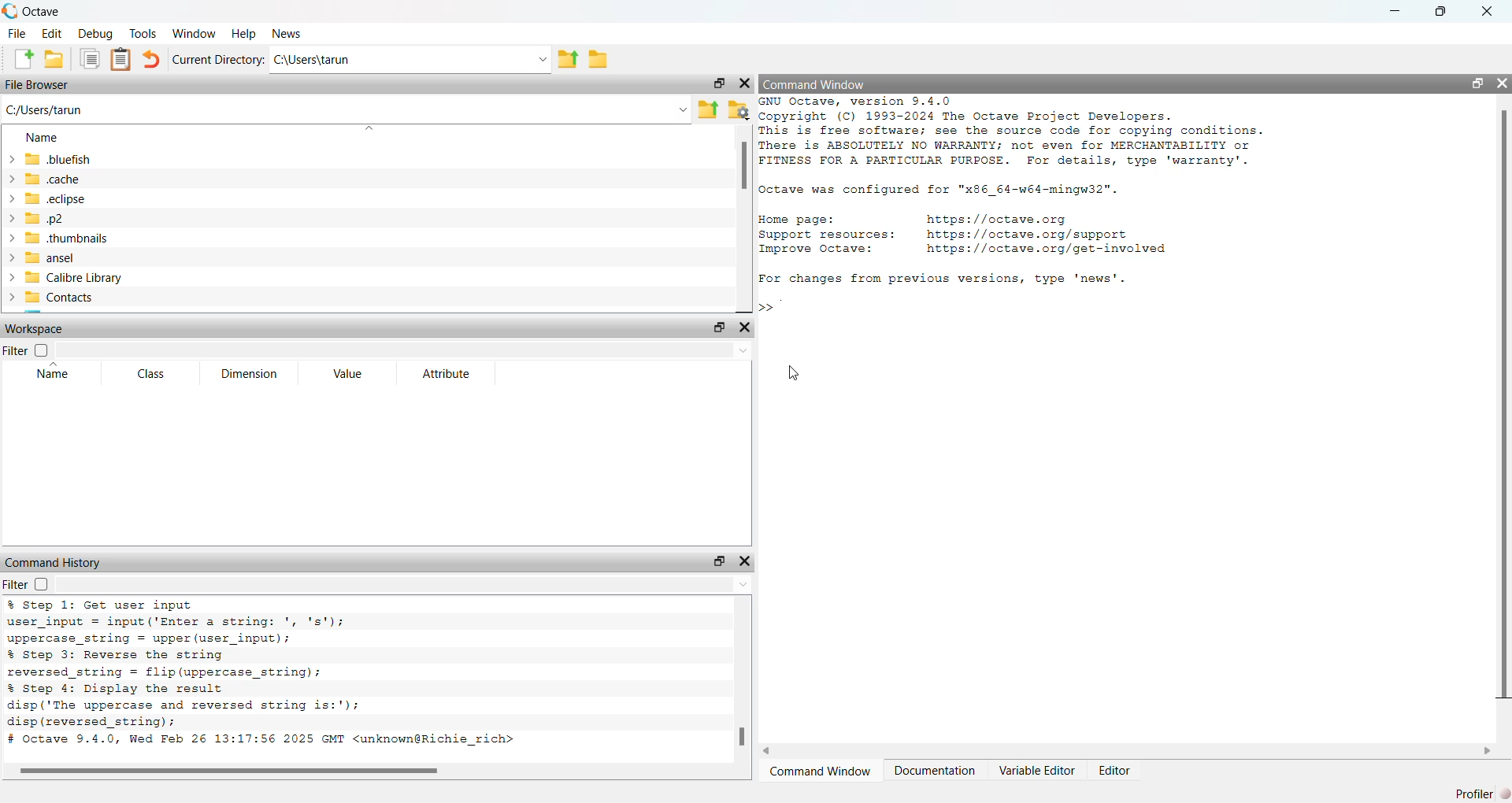  I want to click on octave version and date, so click(299, 741).